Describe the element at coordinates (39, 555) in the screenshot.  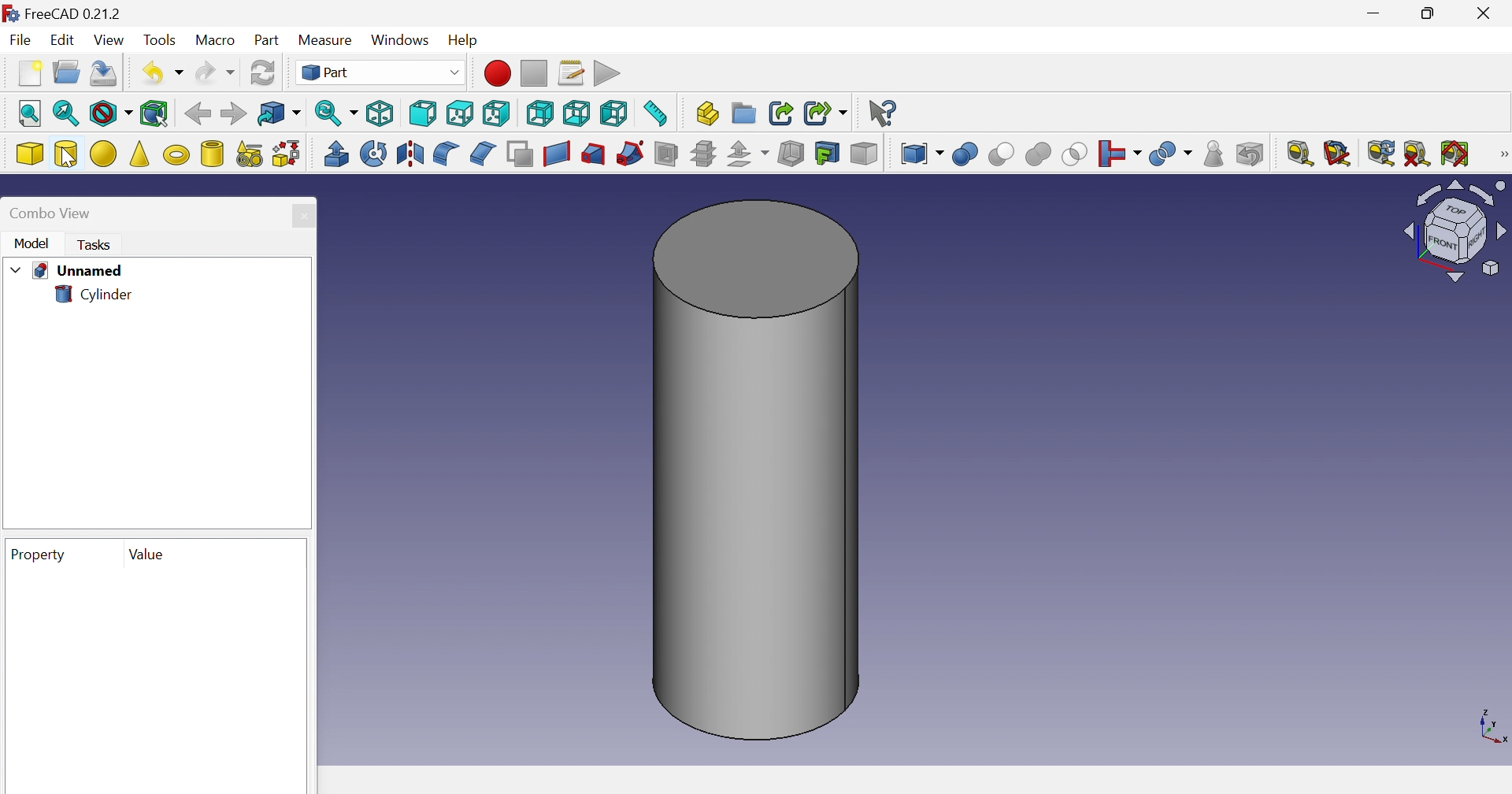
I see `Property` at that location.